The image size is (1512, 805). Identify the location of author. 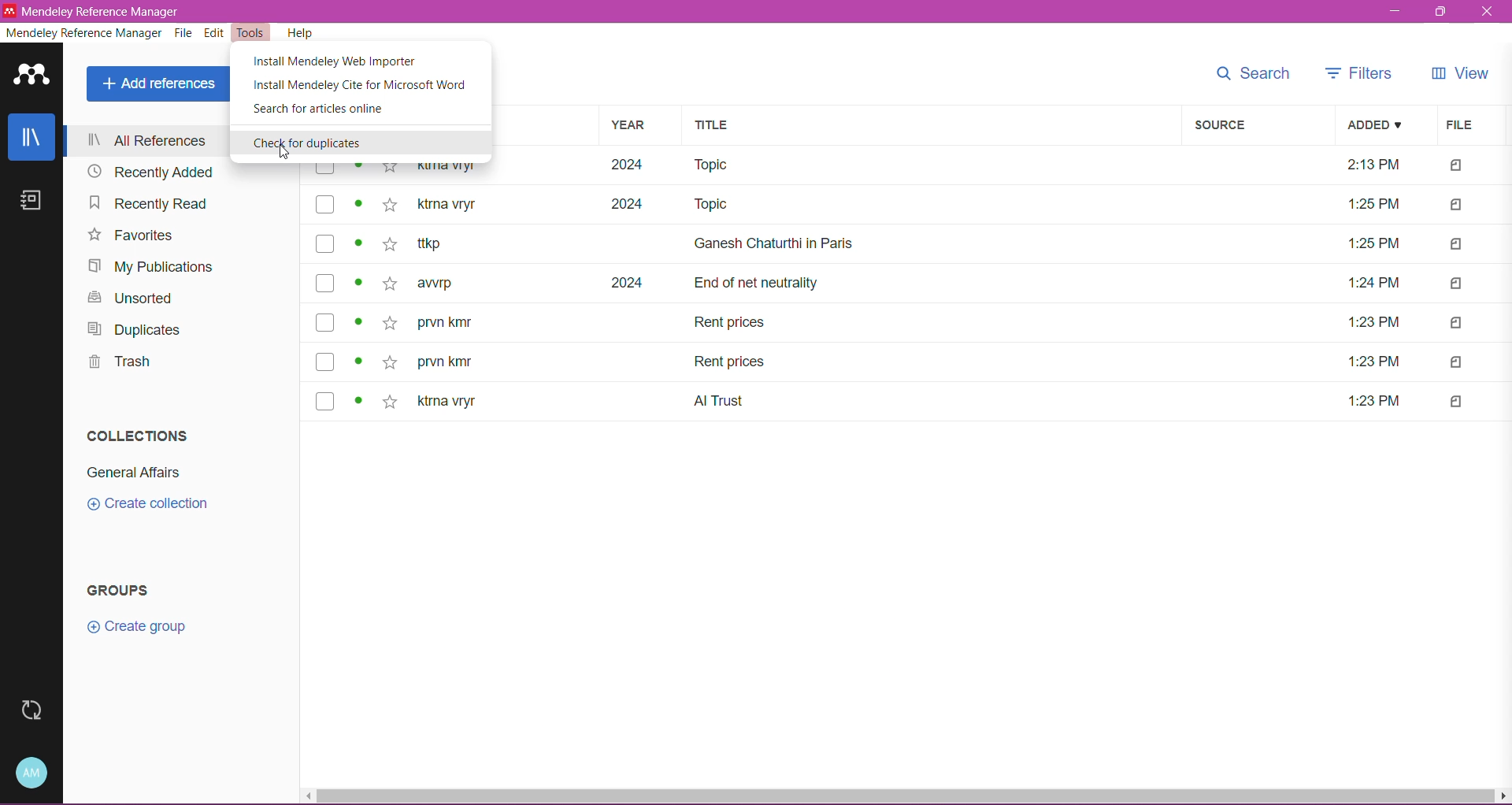
(435, 284).